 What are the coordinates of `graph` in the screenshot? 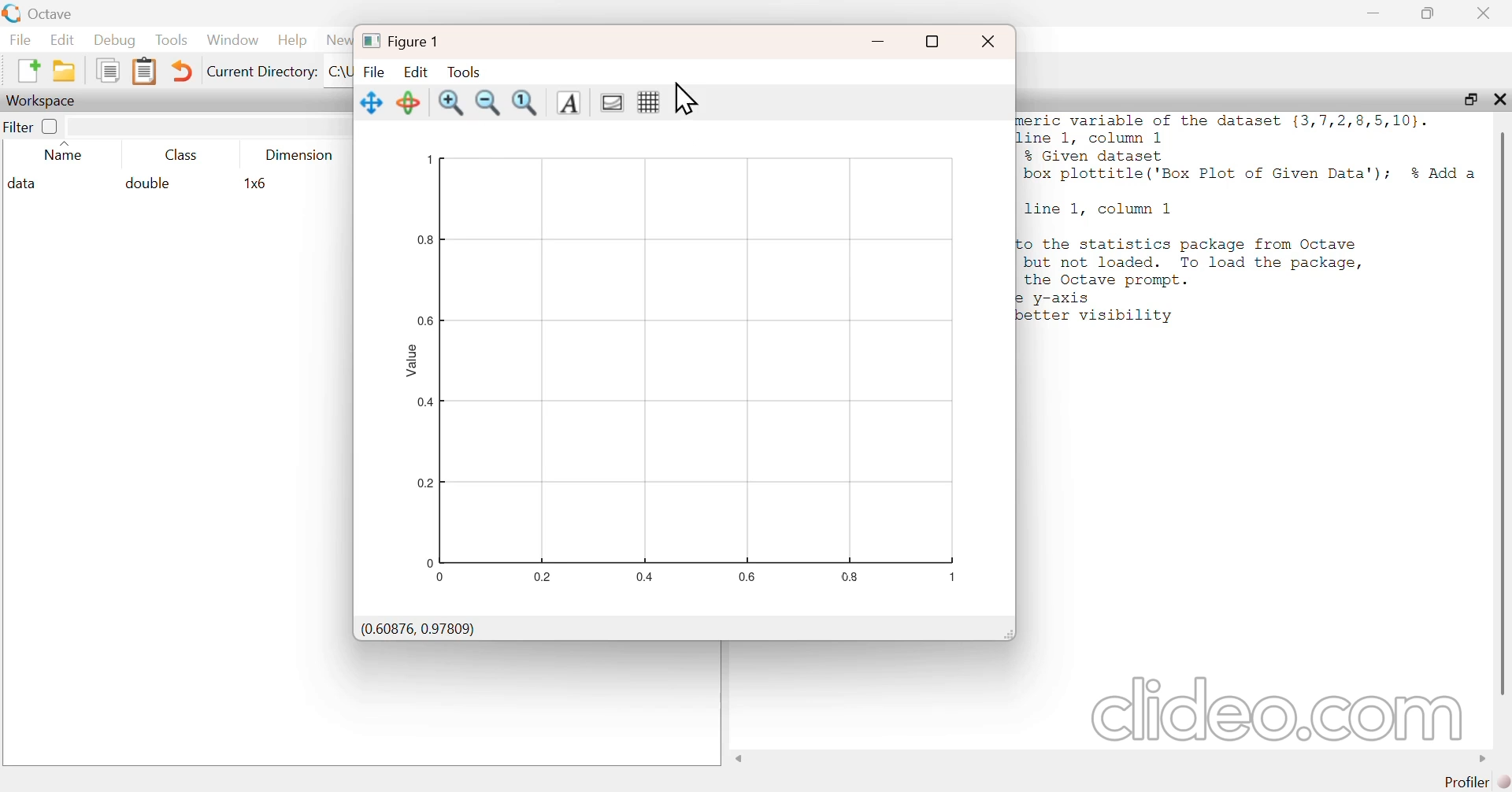 It's located at (684, 370).